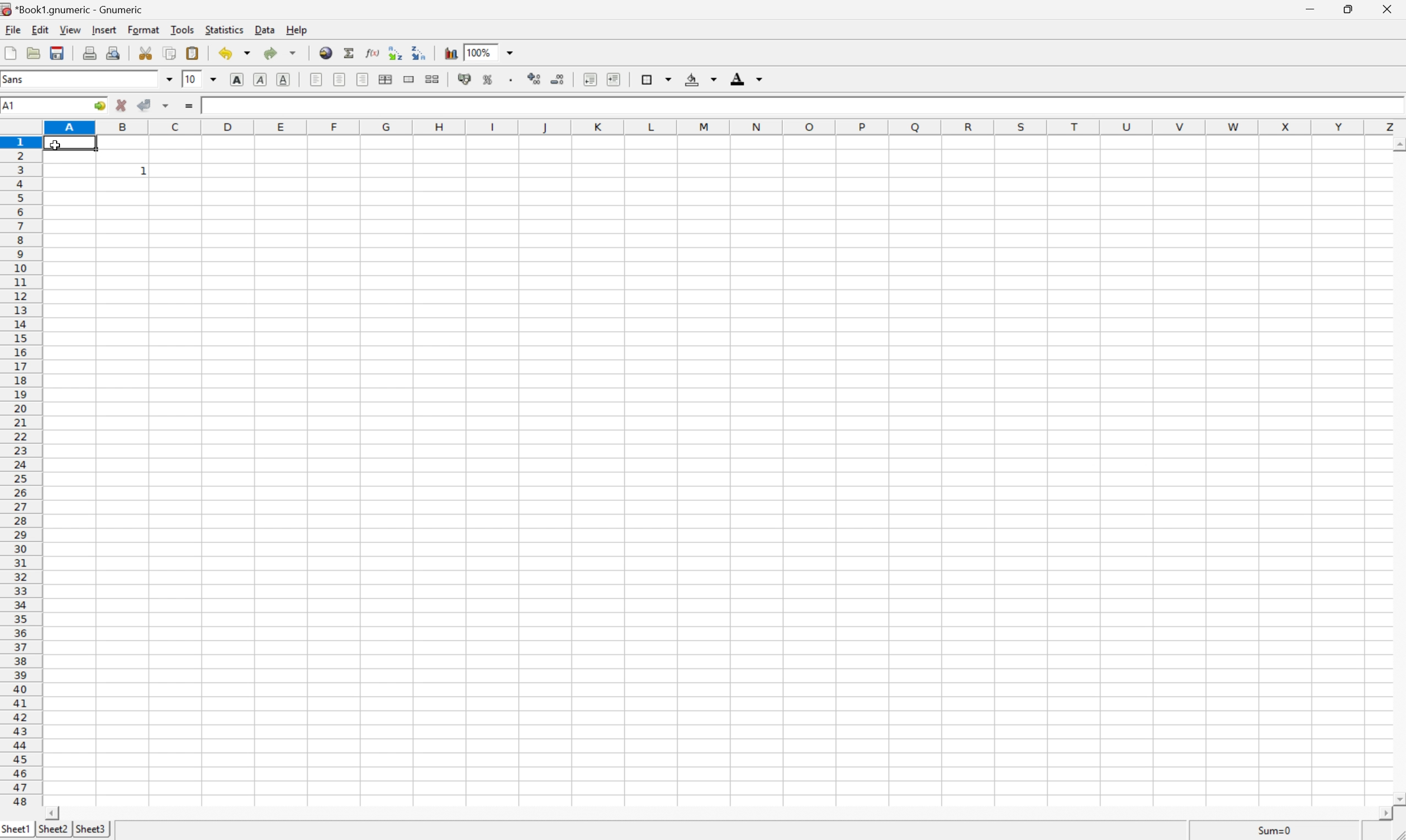  I want to click on sort the selected region in descending order based on the first column selected , so click(421, 52).